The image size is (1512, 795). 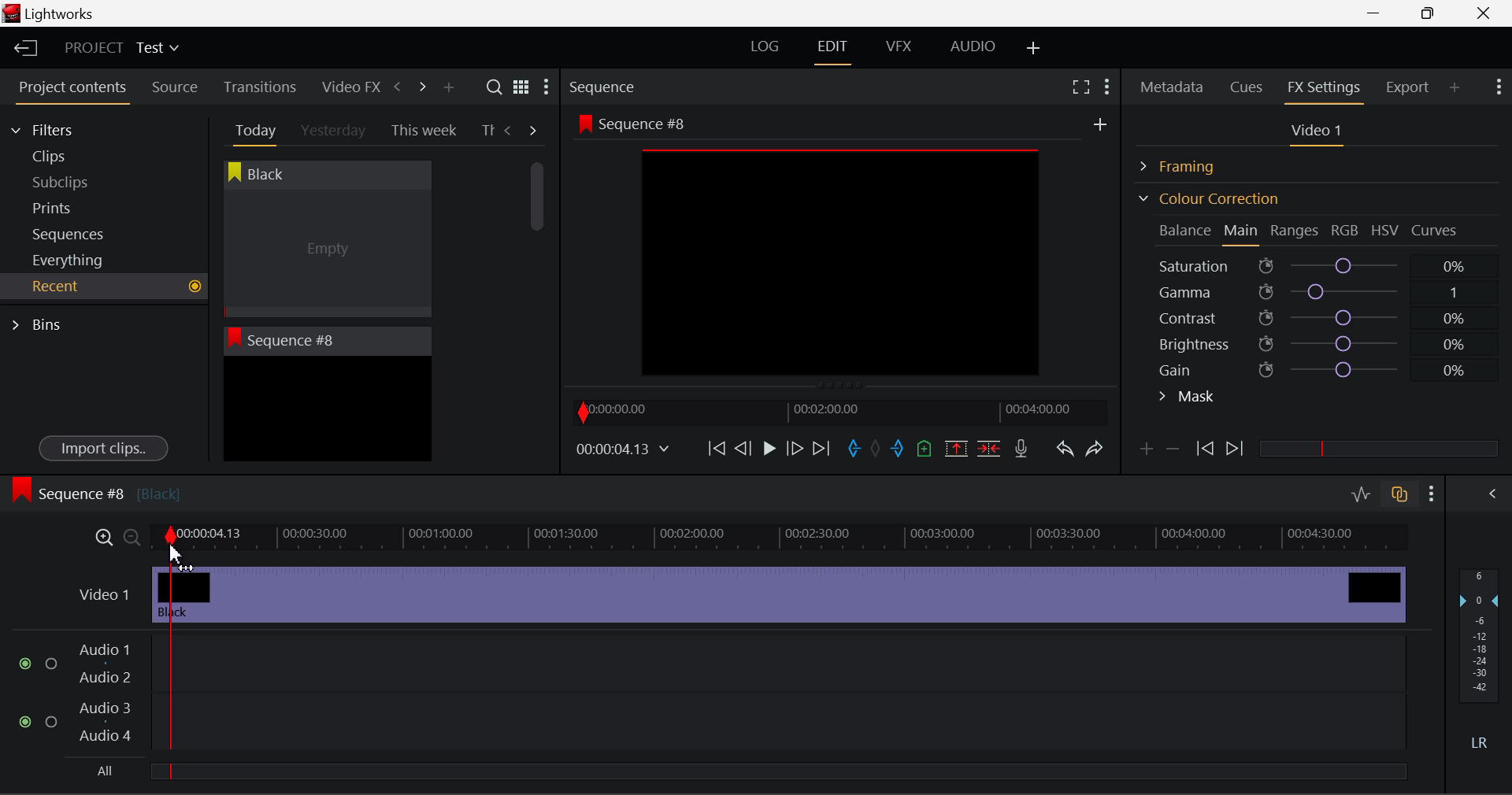 I want to click on Recrod Voiceover, so click(x=1021, y=448).